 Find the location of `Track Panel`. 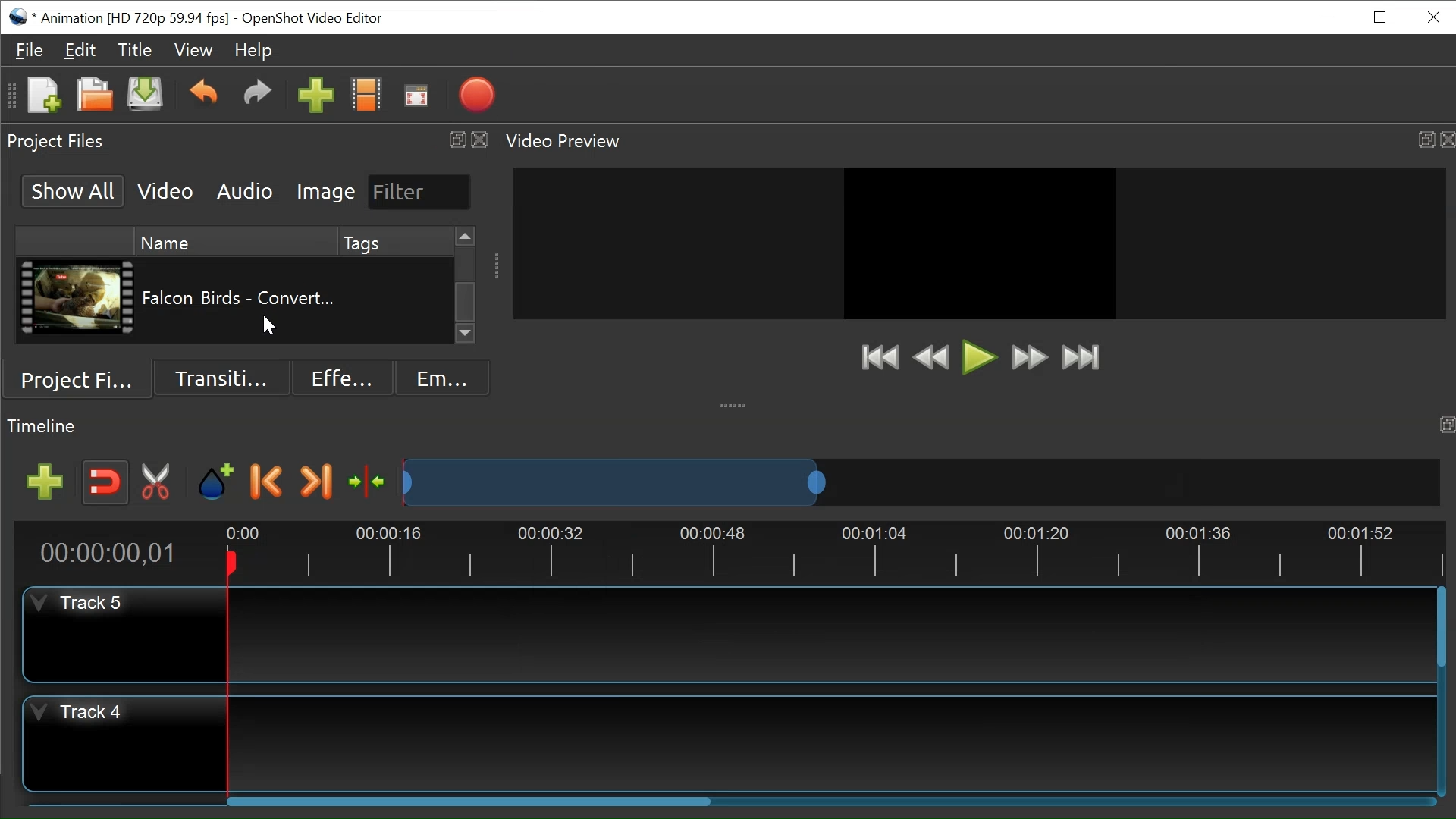

Track Panel is located at coordinates (827, 634).